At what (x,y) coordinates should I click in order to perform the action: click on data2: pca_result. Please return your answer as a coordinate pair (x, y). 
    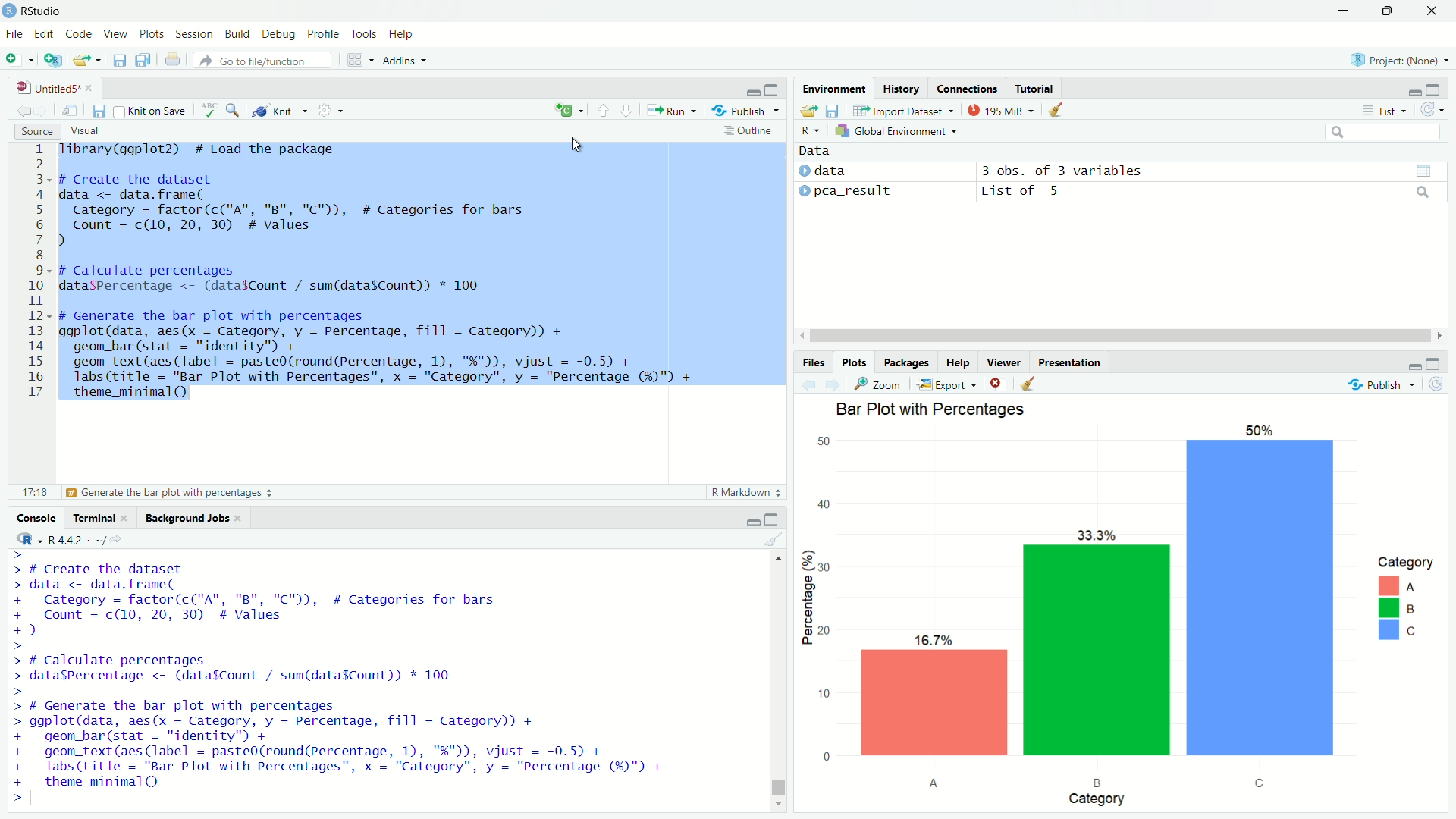
    Looking at the image, I should click on (858, 192).